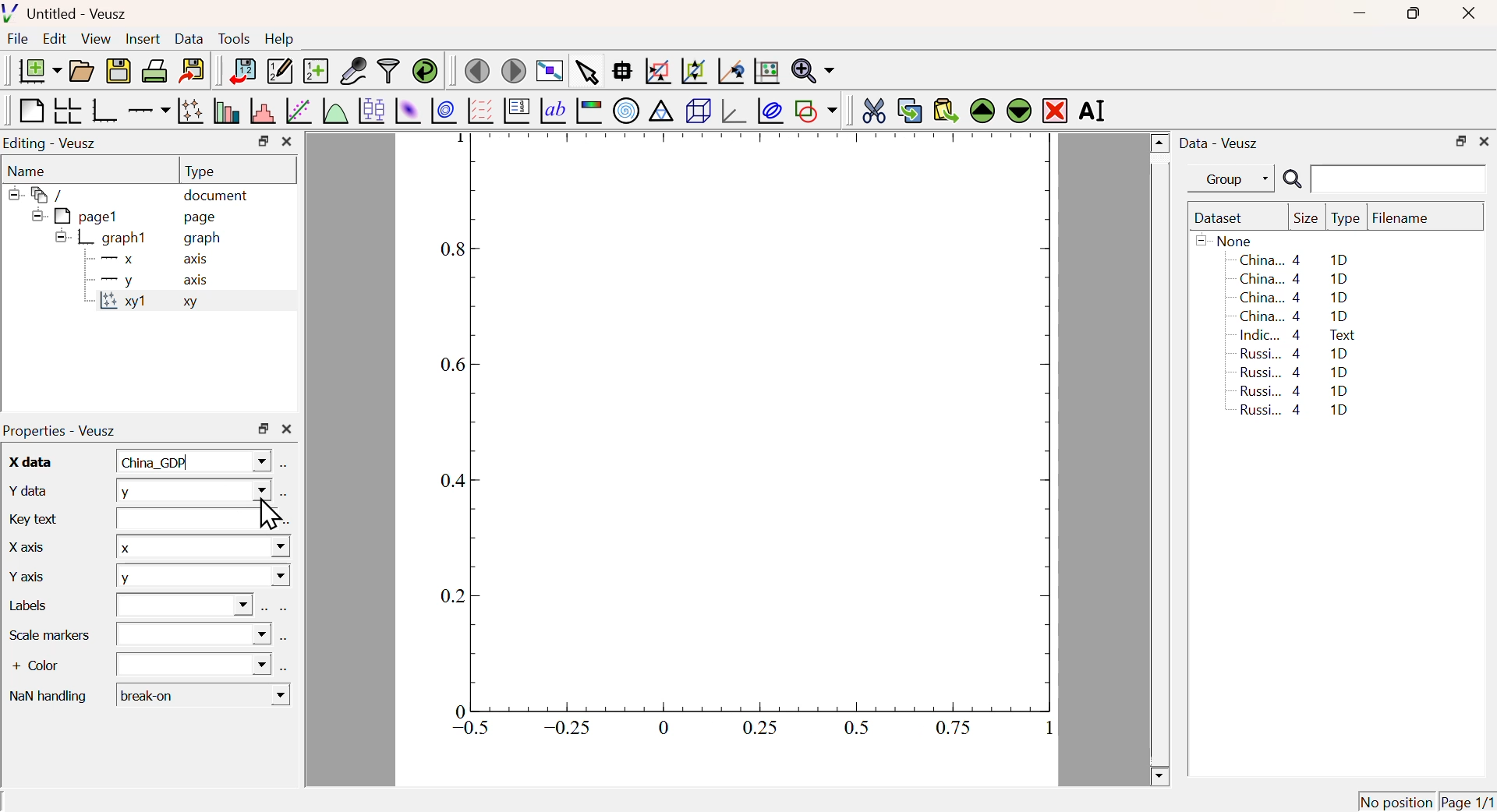  I want to click on Close, so click(287, 430).